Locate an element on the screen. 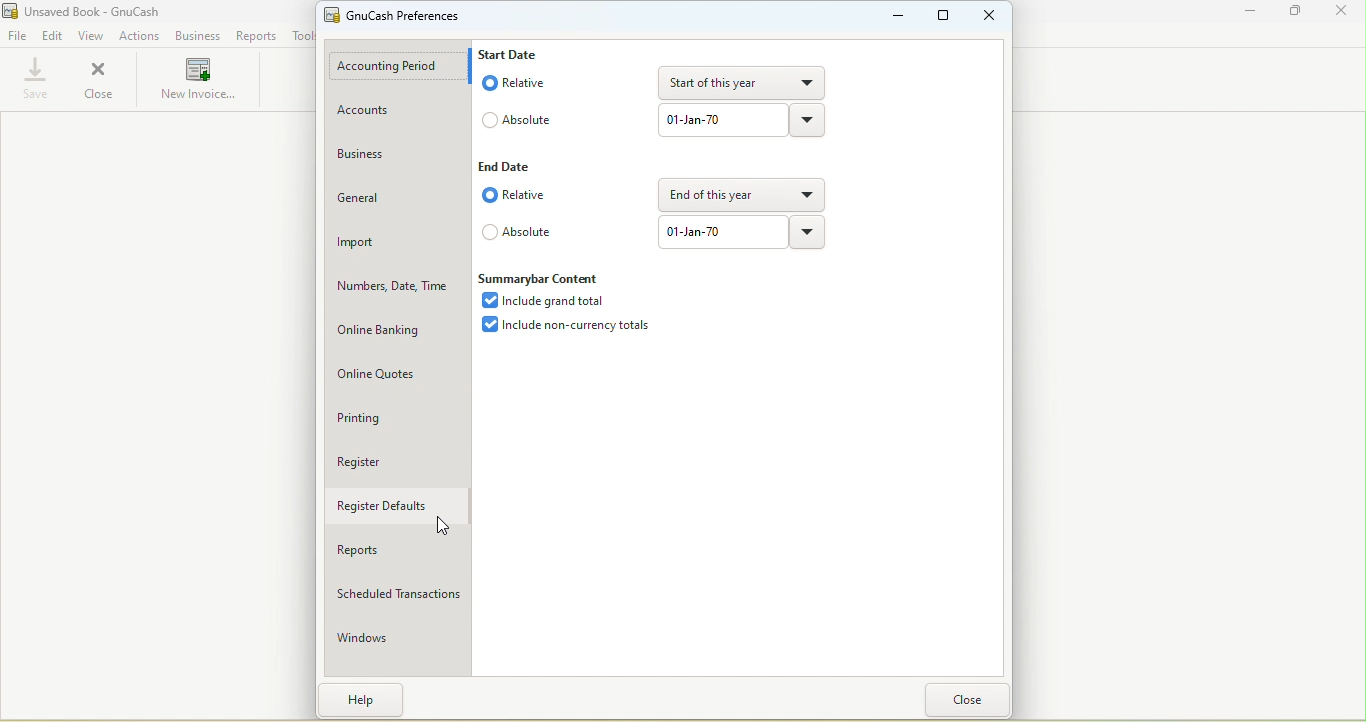 The width and height of the screenshot is (1366, 722). Start of this year is located at coordinates (742, 83).